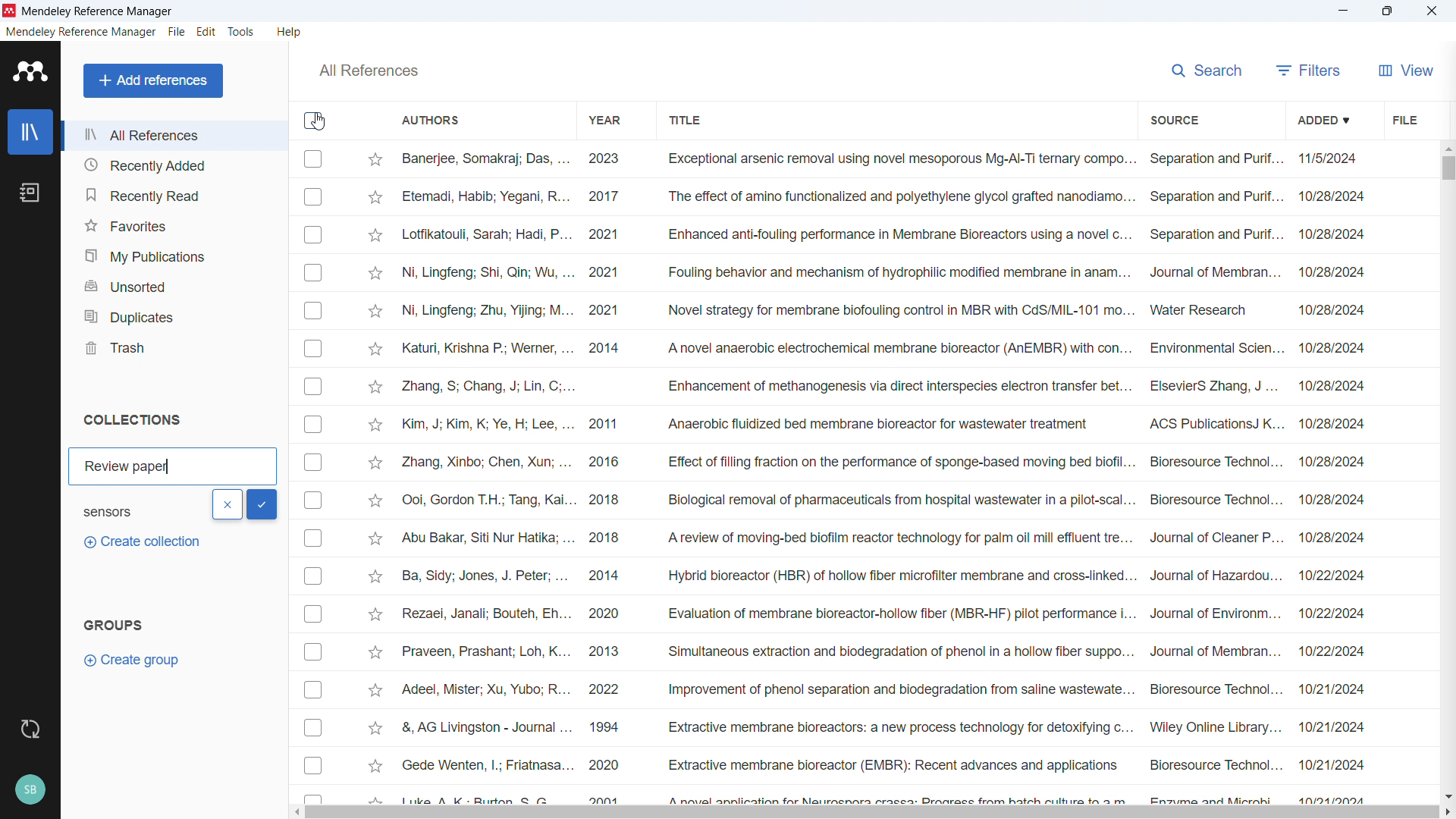 The image size is (1456, 819). I want to click on Star mark respective publication, so click(375, 198).